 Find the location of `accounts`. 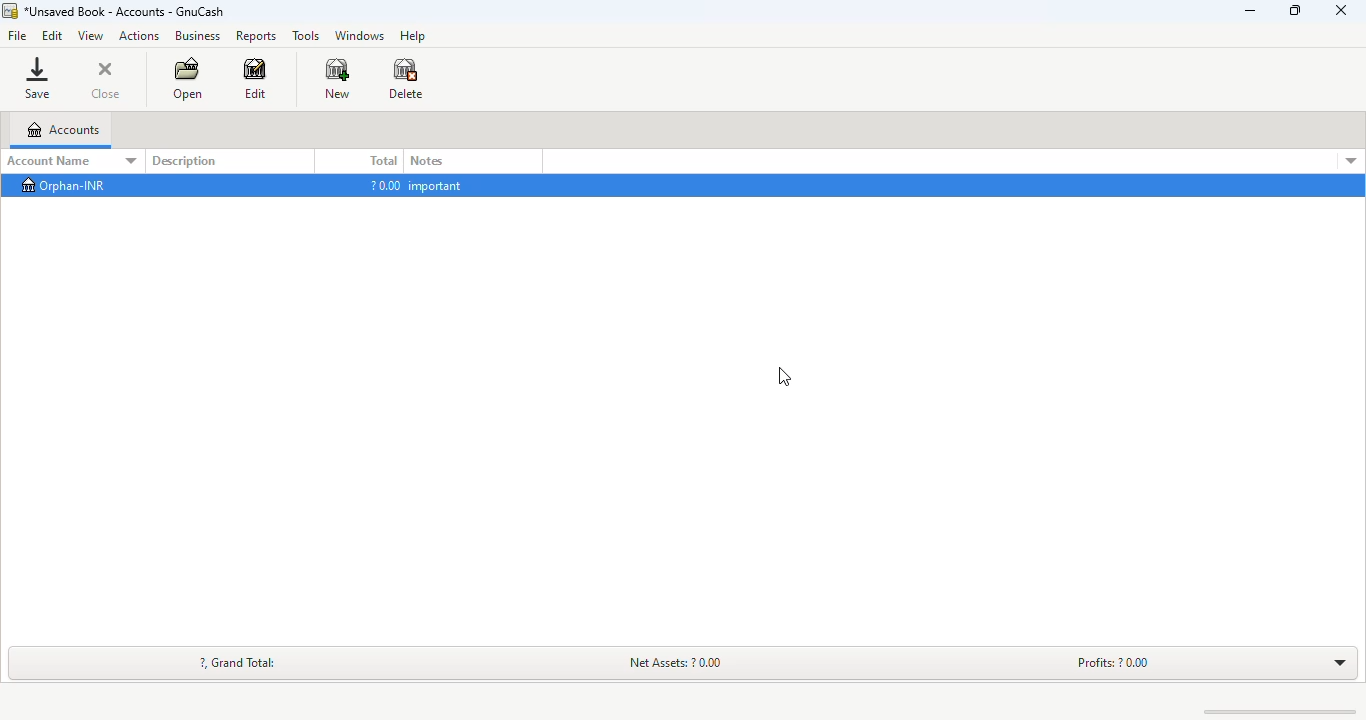

accounts is located at coordinates (62, 130).